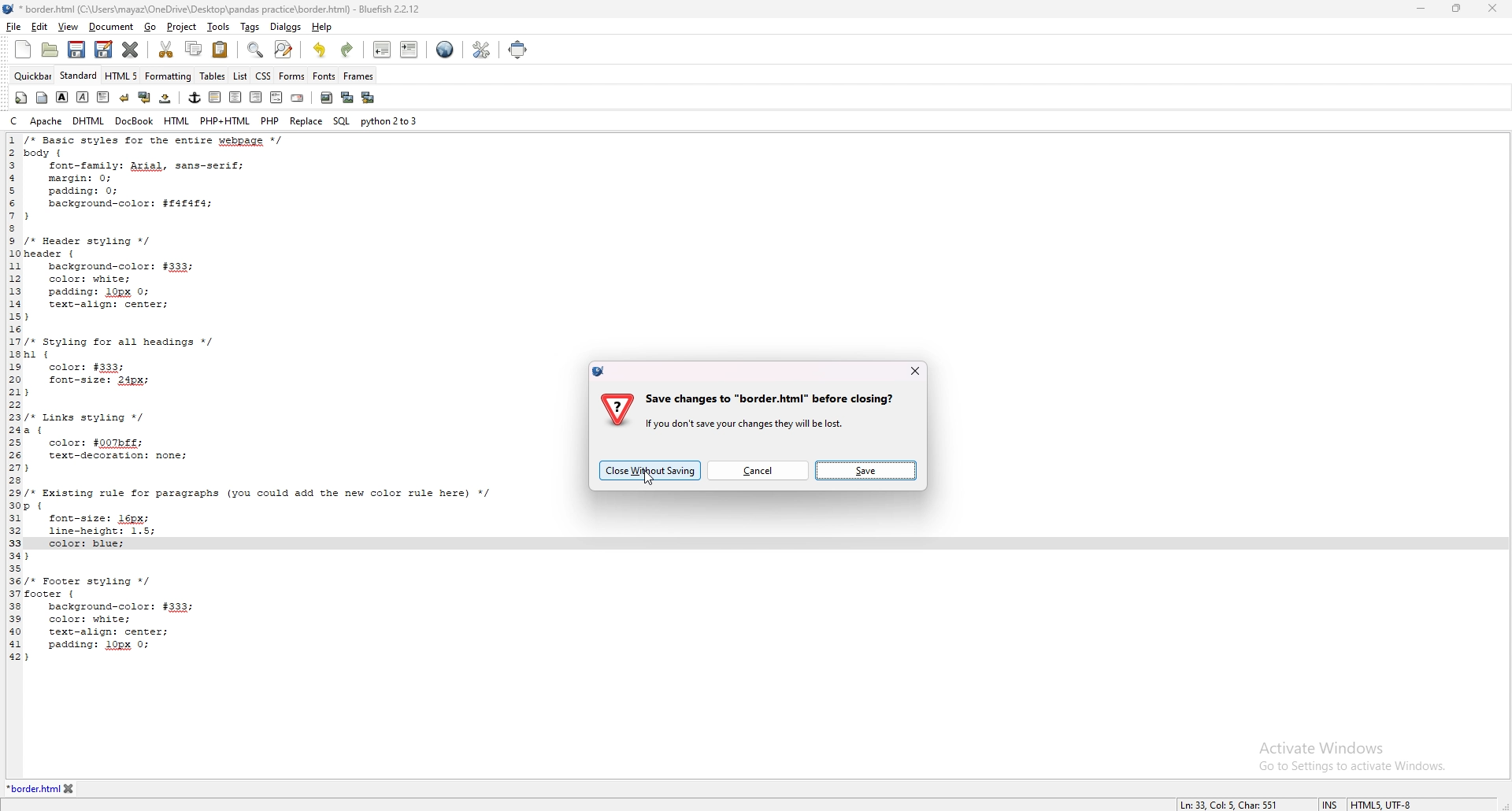 The height and width of the screenshot is (811, 1512). I want to click on close tab, so click(69, 788).